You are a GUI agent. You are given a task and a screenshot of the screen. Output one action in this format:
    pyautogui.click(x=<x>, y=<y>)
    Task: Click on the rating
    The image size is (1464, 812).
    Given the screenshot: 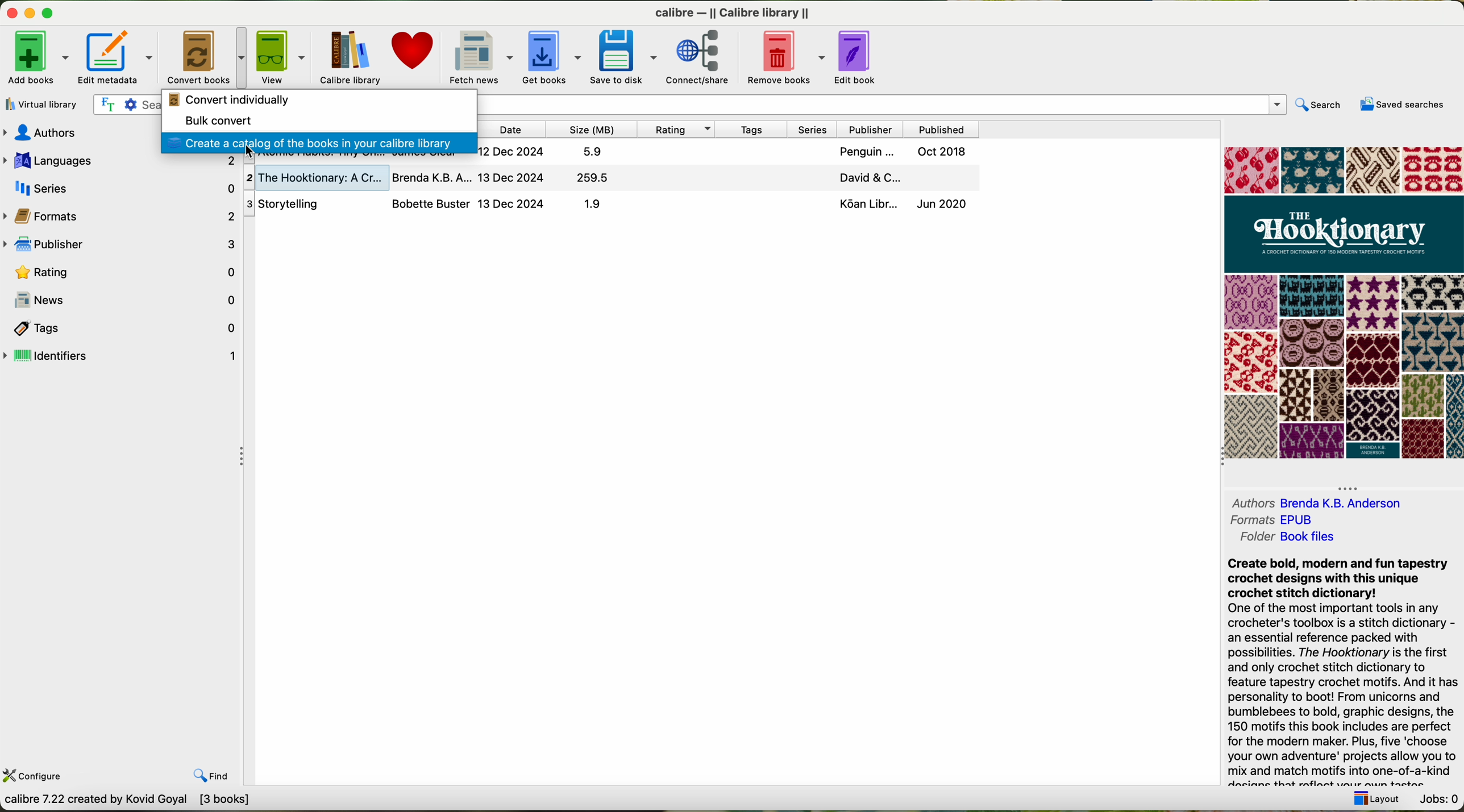 What is the action you would take?
    pyautogui.click(x=678, y=129)
    